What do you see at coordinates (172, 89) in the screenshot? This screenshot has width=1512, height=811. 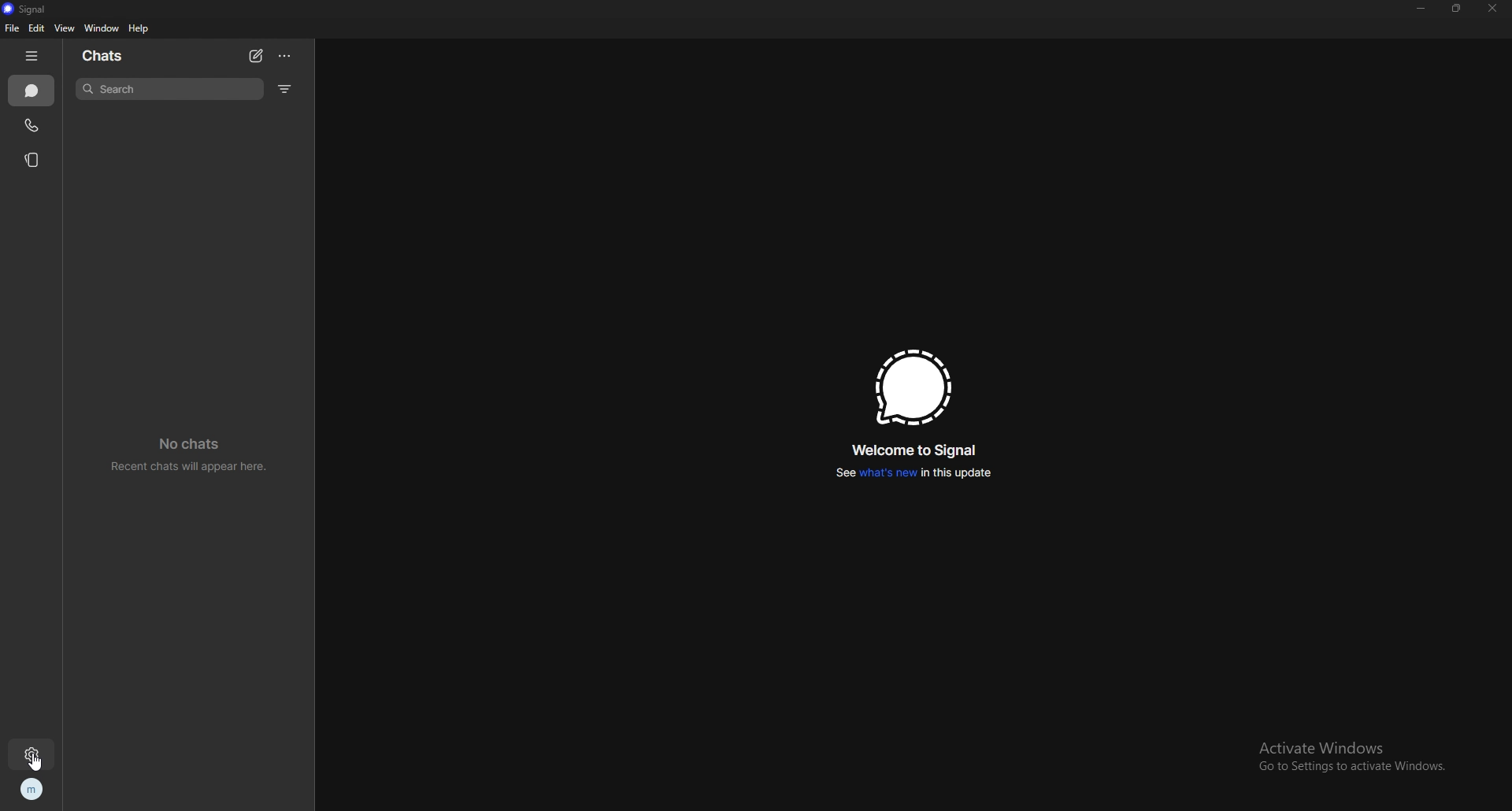 I see `search` at bounding box center [172, 89].